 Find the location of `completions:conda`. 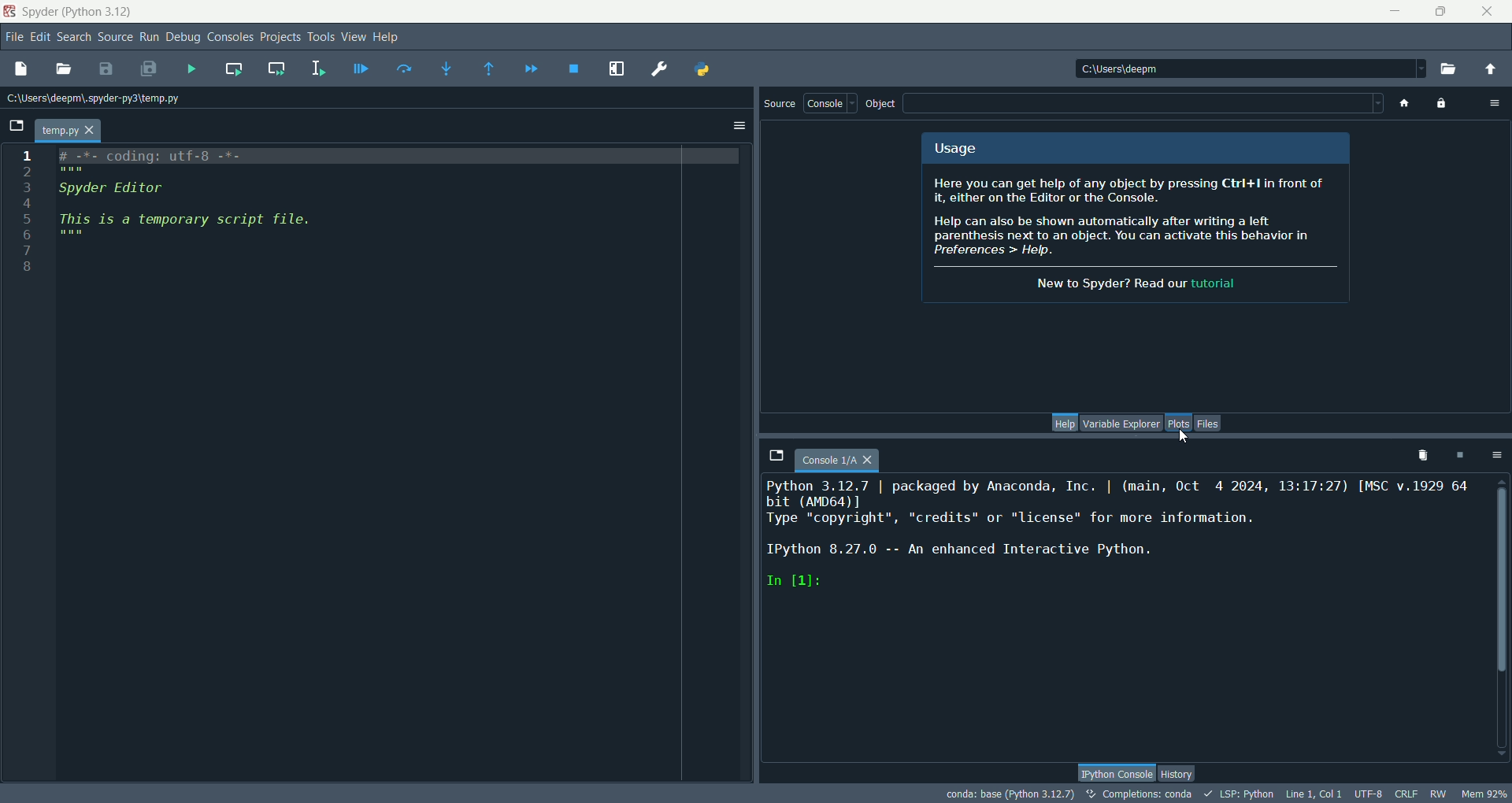

completions:conda is located at coordinates (1140, 794).